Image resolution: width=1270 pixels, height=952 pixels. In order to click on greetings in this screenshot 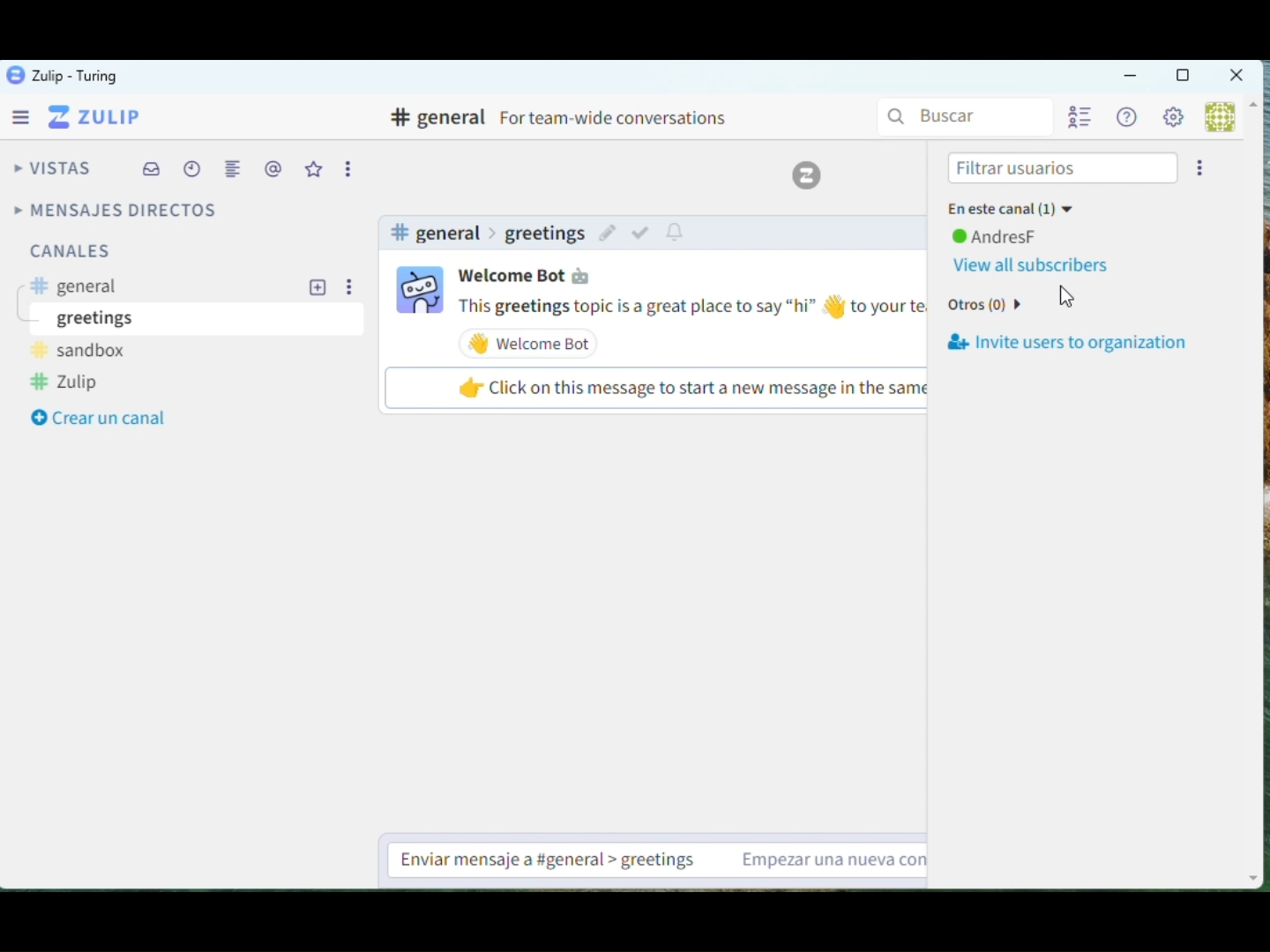, I will do `click(101, 319)`.